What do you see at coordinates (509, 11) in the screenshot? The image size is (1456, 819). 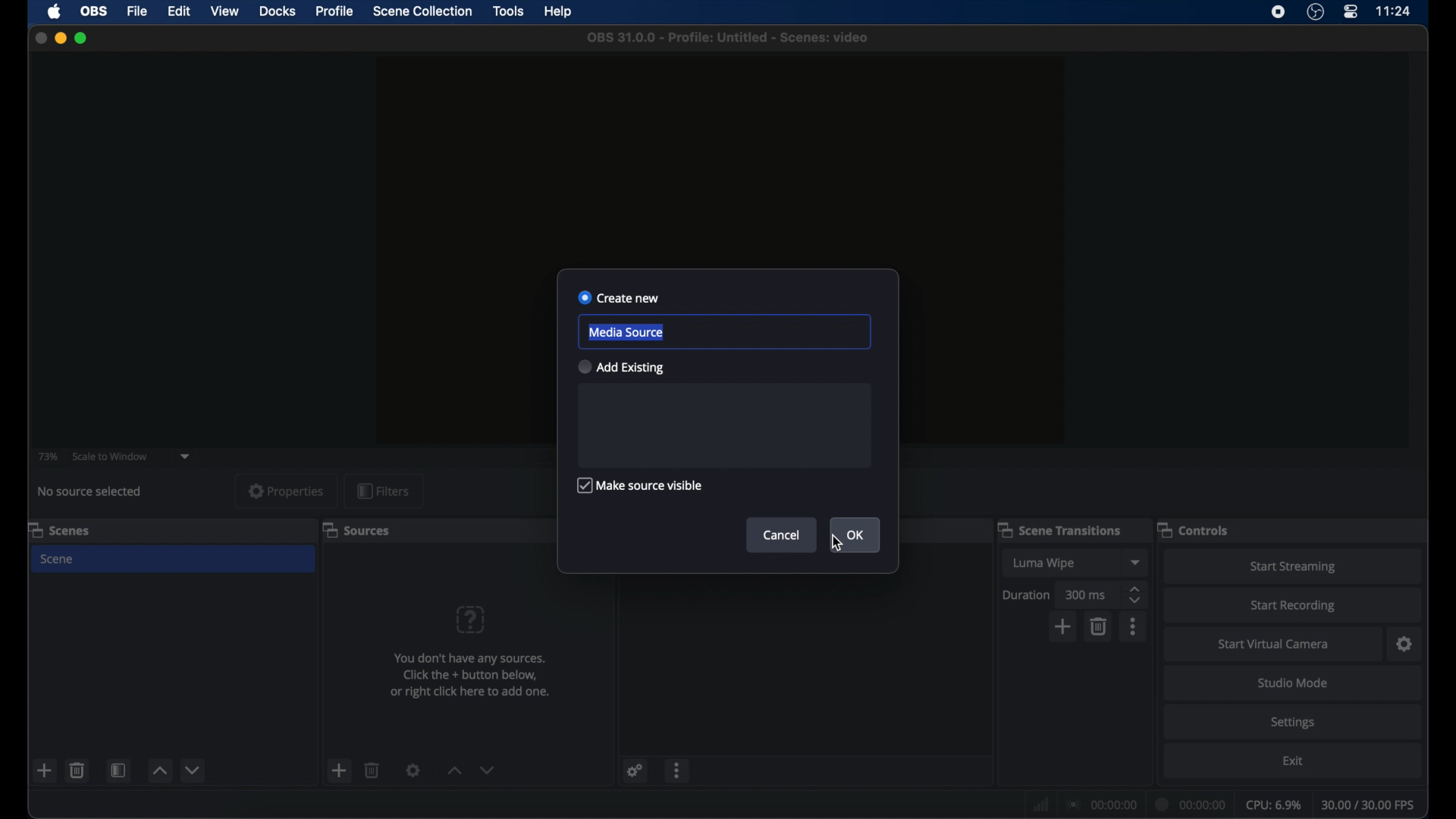 I see `tools` at bounding box center [509, 11].